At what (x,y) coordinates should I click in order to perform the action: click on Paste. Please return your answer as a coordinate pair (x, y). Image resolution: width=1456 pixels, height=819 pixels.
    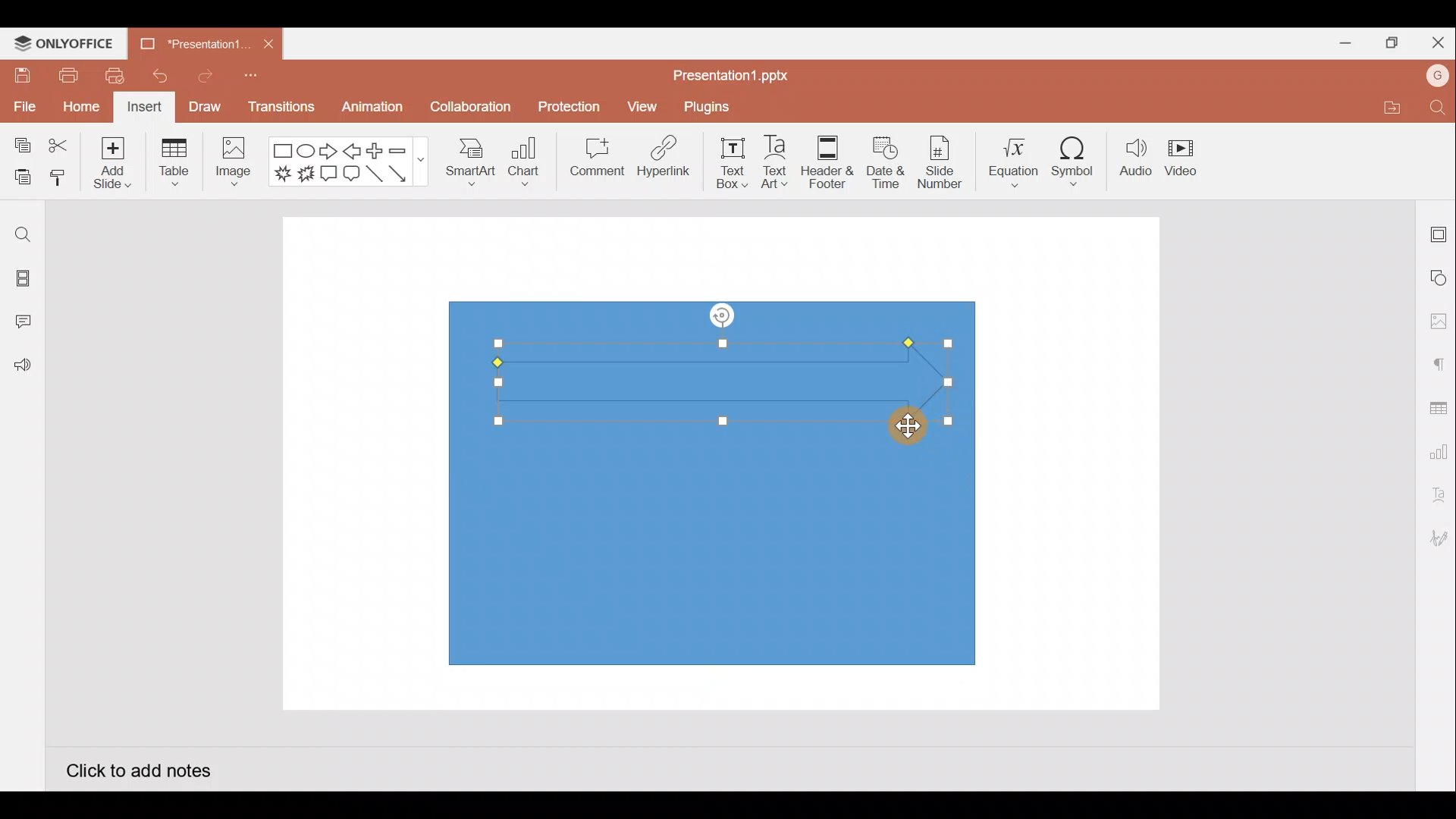
    Looking at the image, I should click on (19, 178).